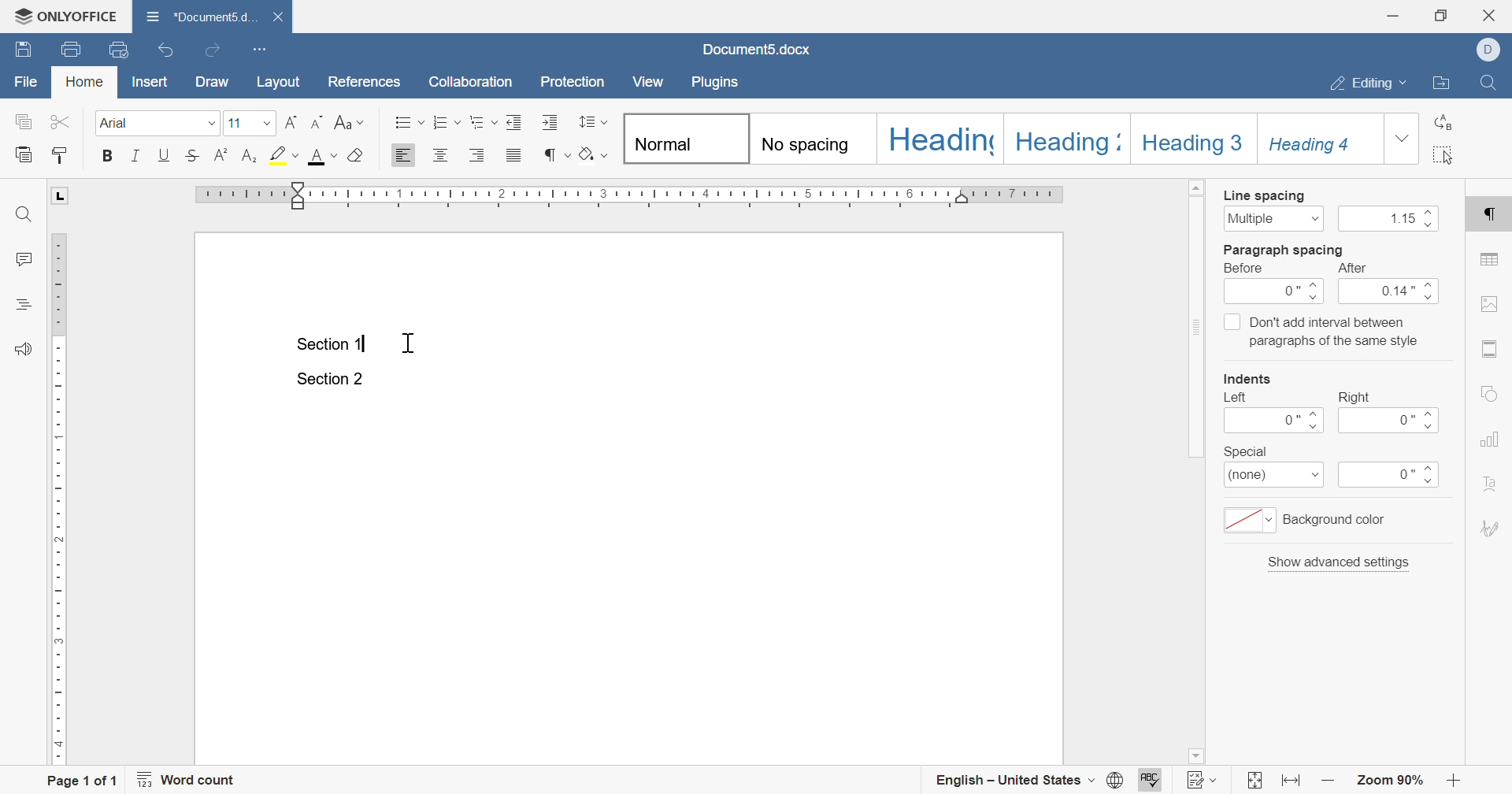  What do you see at coordinates (1445, 154) in the screenshot?
I see `select all` at bounding box center [1445, 154].